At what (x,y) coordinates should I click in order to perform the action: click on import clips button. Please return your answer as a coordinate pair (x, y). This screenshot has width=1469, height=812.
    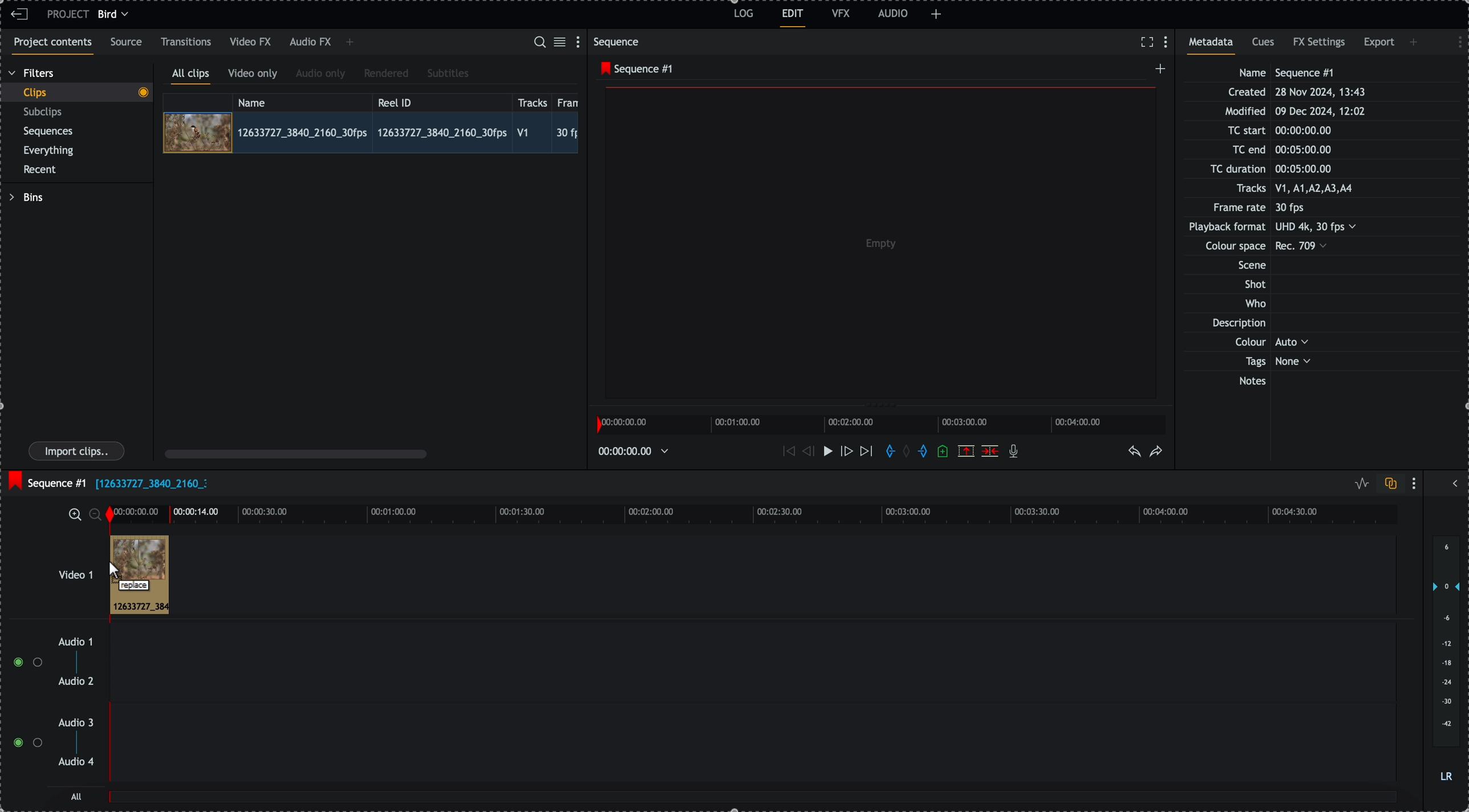
    Looking at the image, I should click on (78, 452).